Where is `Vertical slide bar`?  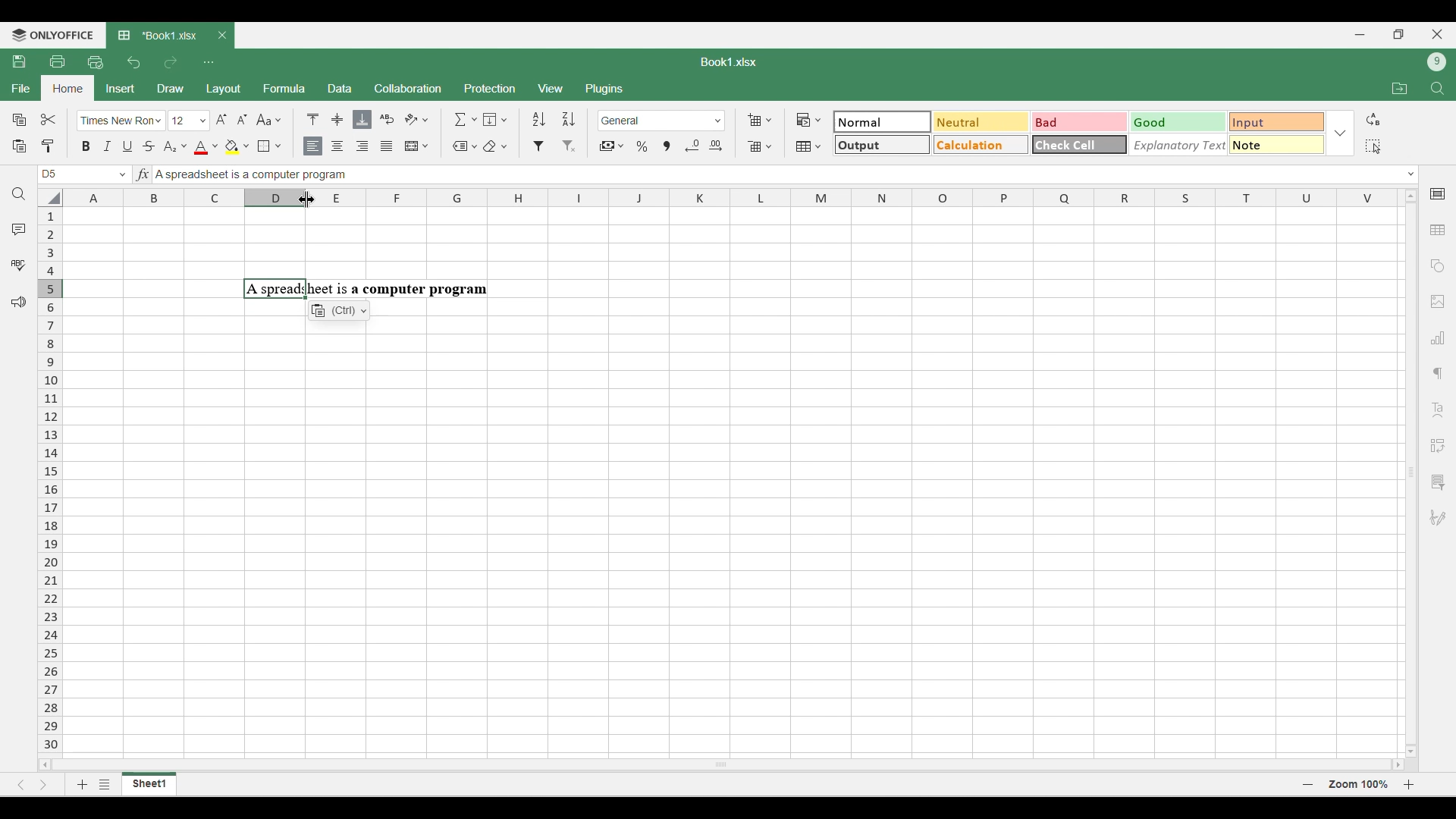
Vertical slide bar is located at coordinates (1412, 472).